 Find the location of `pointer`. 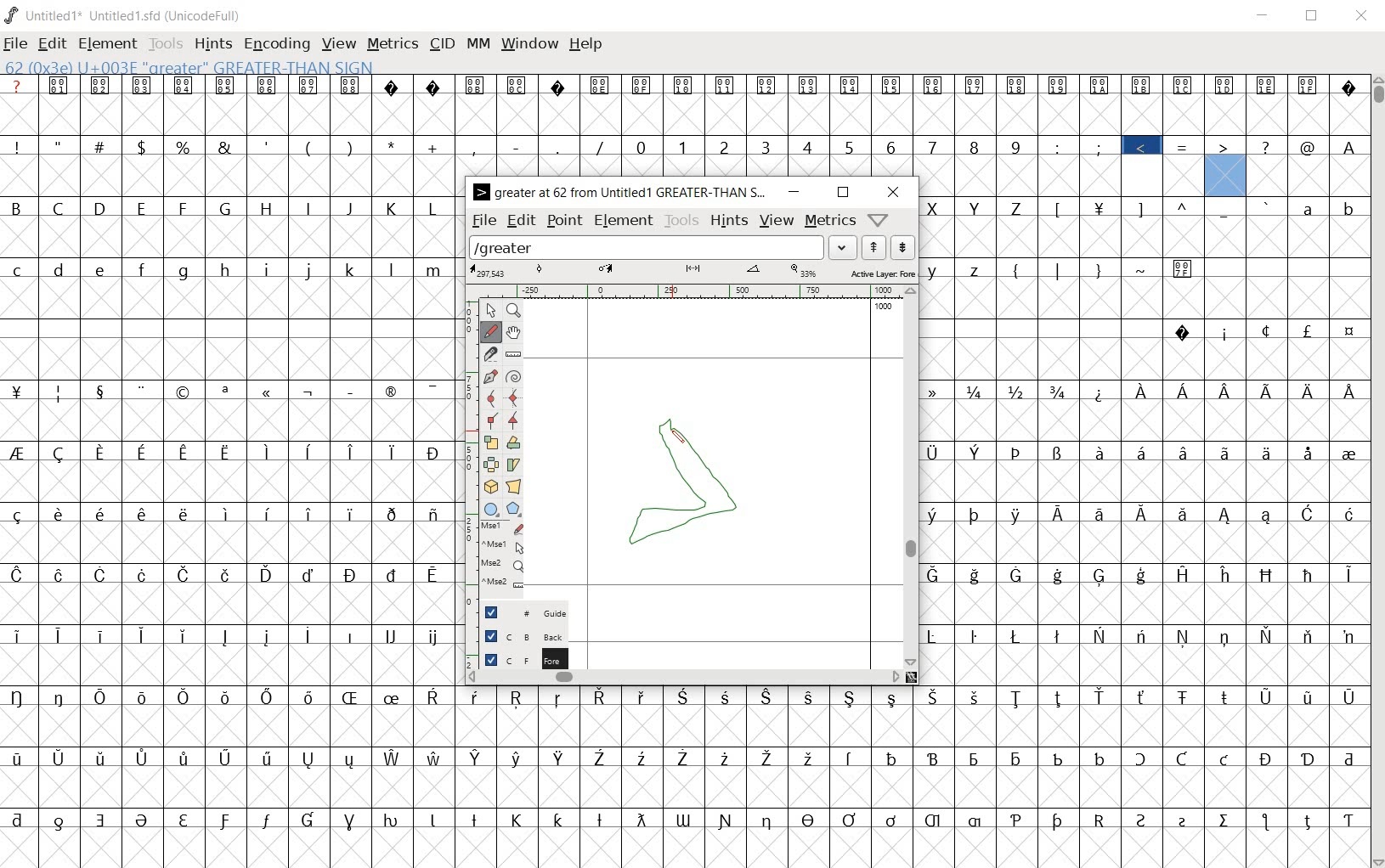

pointer is located at coordinates (490, 311).